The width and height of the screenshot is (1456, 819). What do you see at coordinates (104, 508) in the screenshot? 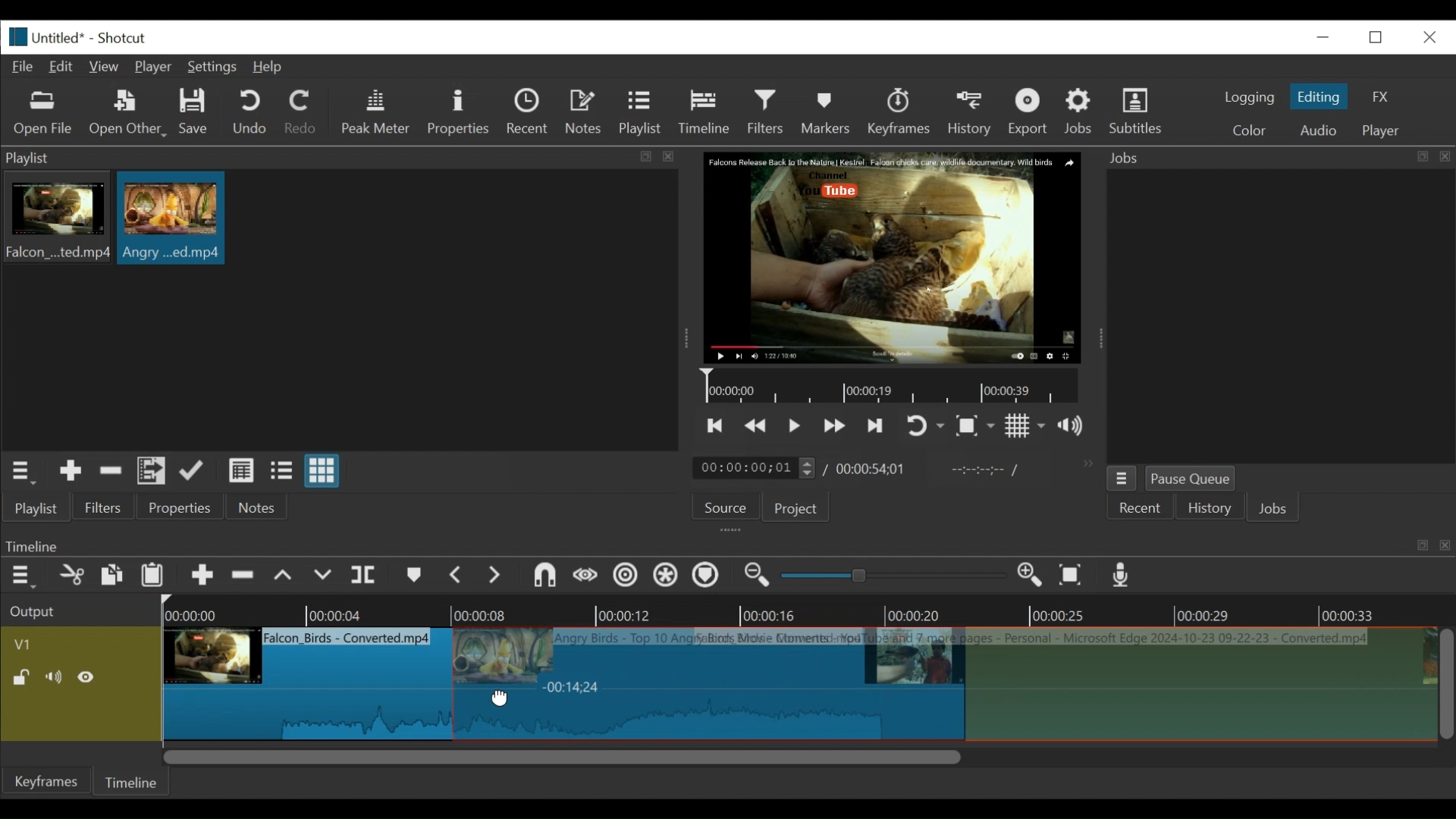
I see `Filters` at bounding box center [104, 508].